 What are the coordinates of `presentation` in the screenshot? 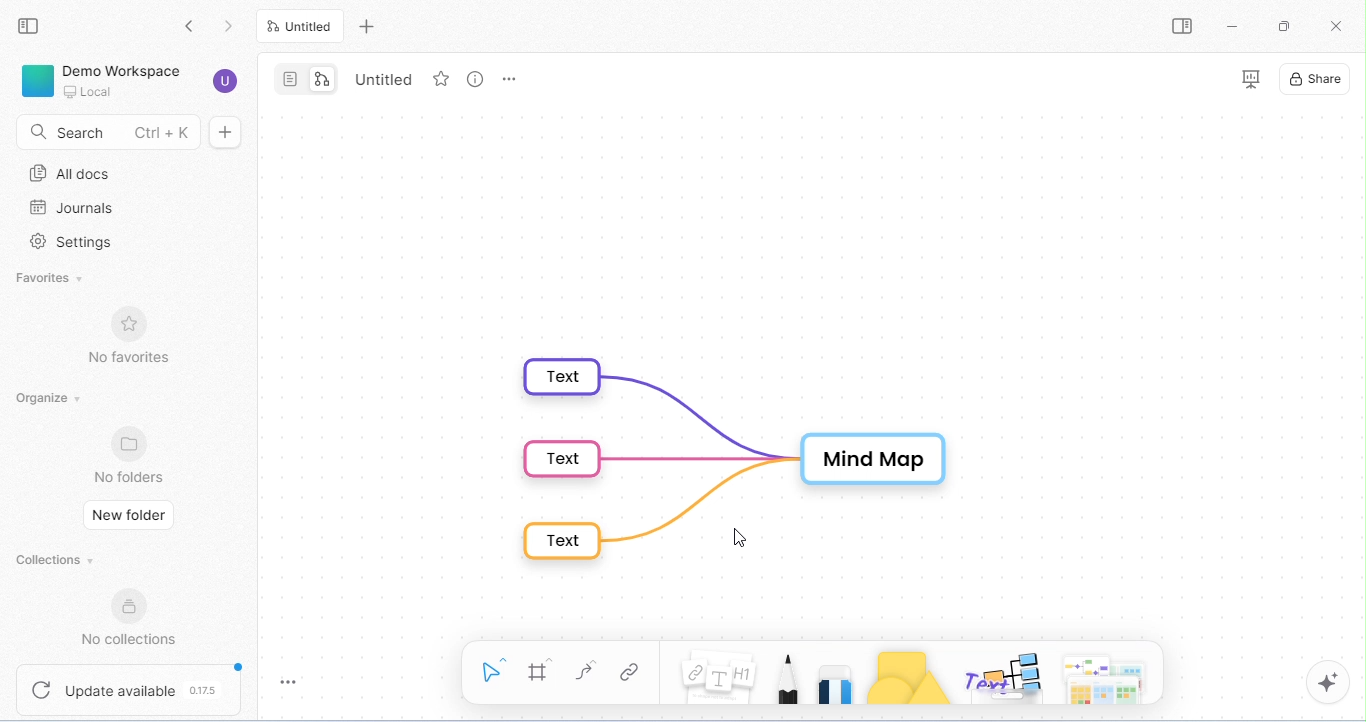 It's located at (1252, 80).